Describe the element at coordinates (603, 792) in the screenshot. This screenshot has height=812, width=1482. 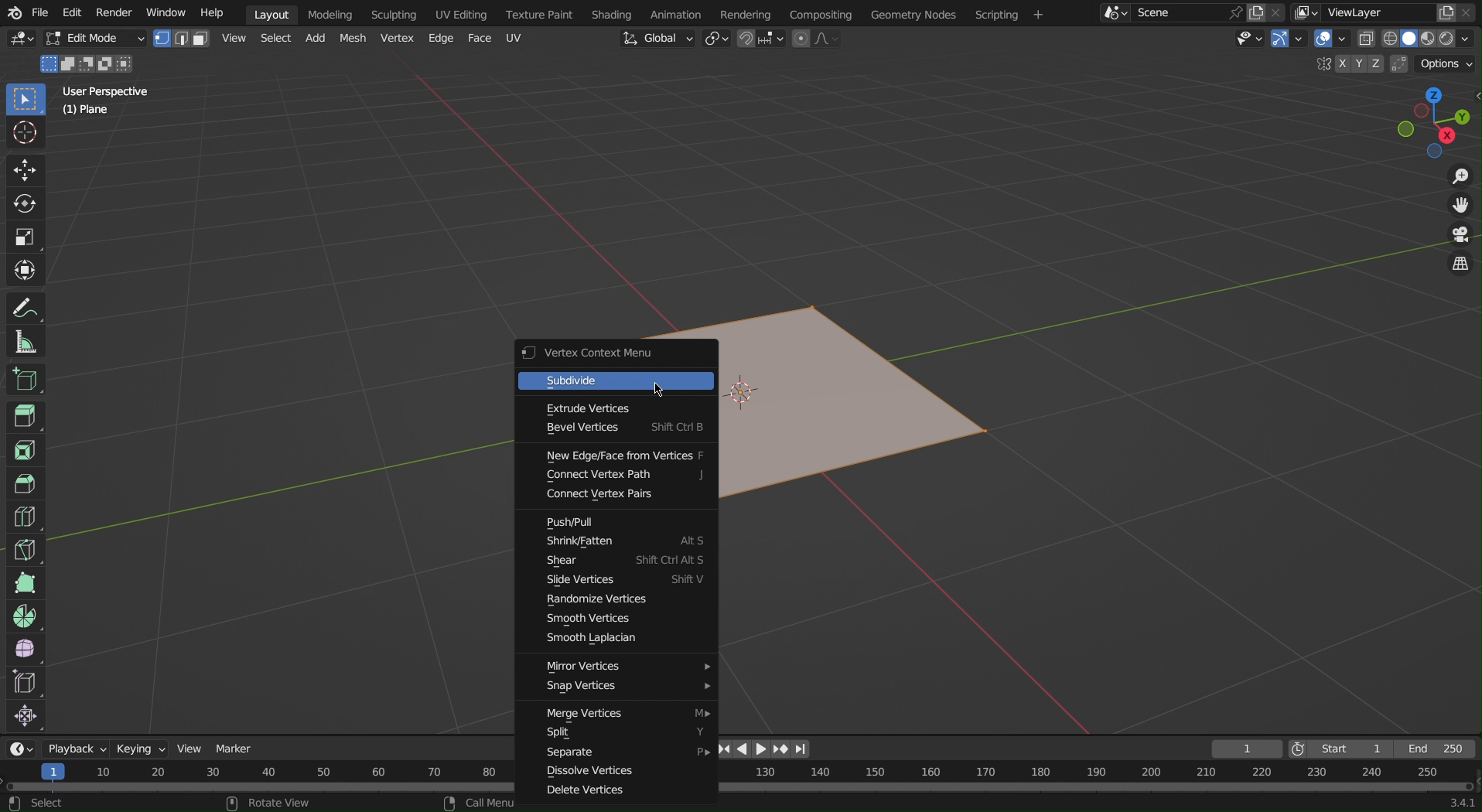
I see `Delete Vertices` at that location.